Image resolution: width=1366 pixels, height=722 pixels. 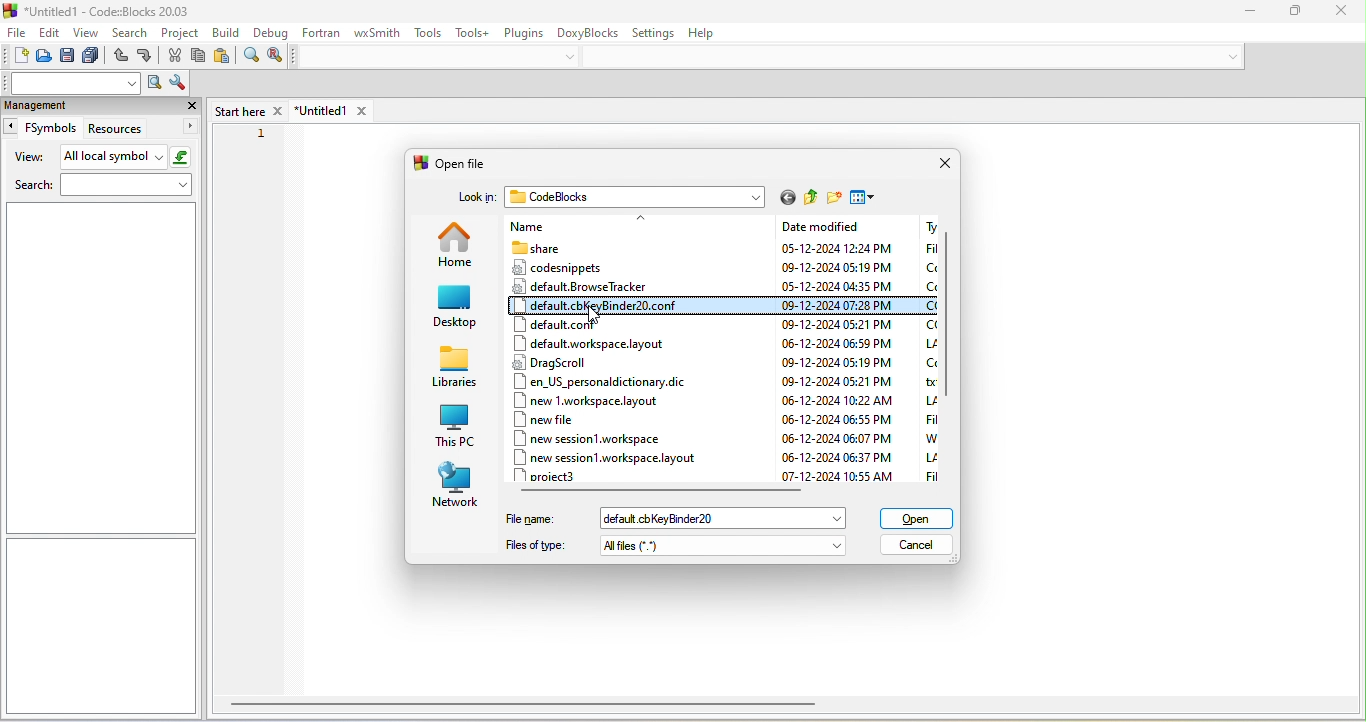 I want to click on minimize, so click(x=1243, y=13).